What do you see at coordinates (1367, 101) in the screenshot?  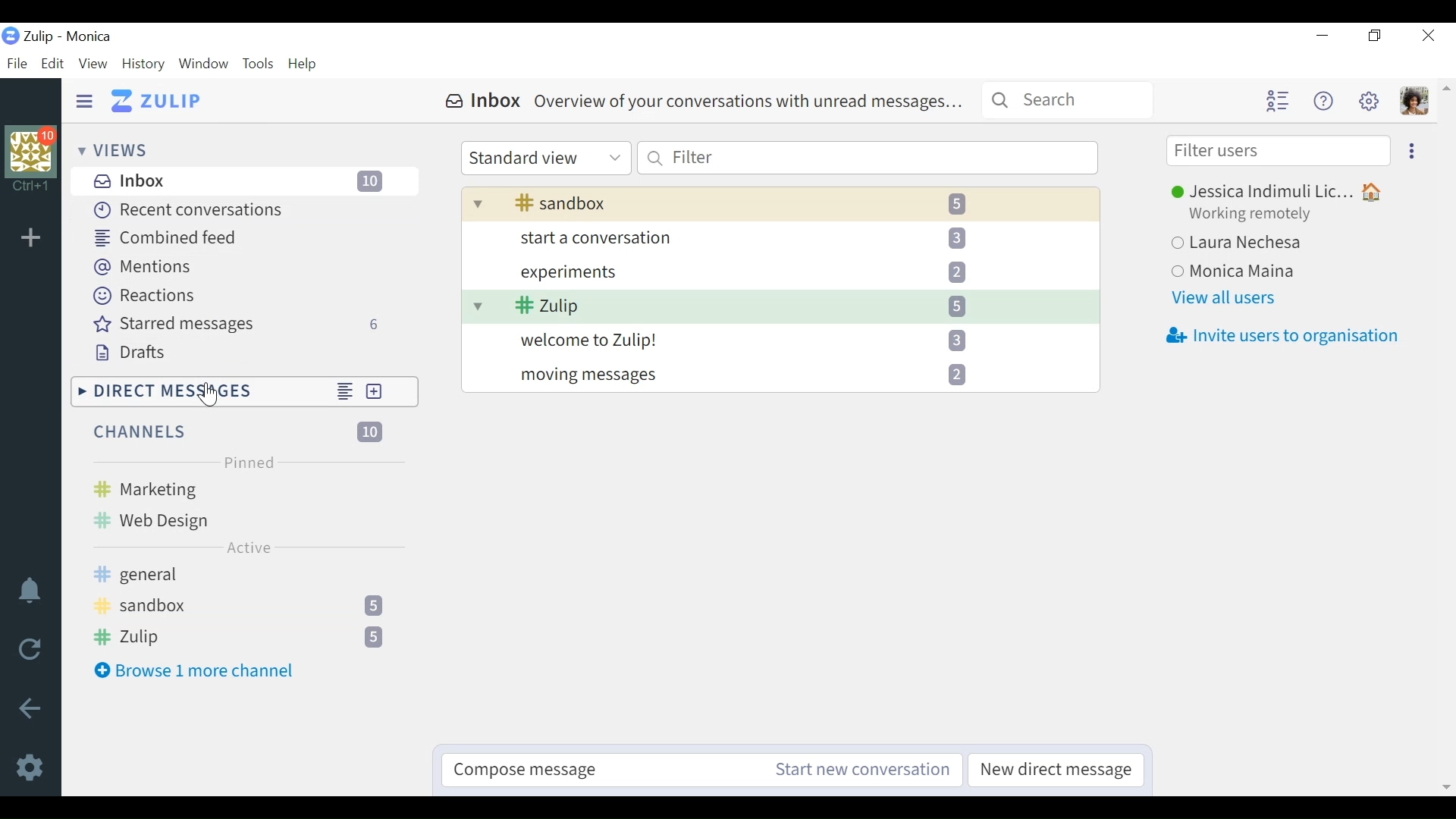 I see `Main menu` at bounding box center [1367, 101].